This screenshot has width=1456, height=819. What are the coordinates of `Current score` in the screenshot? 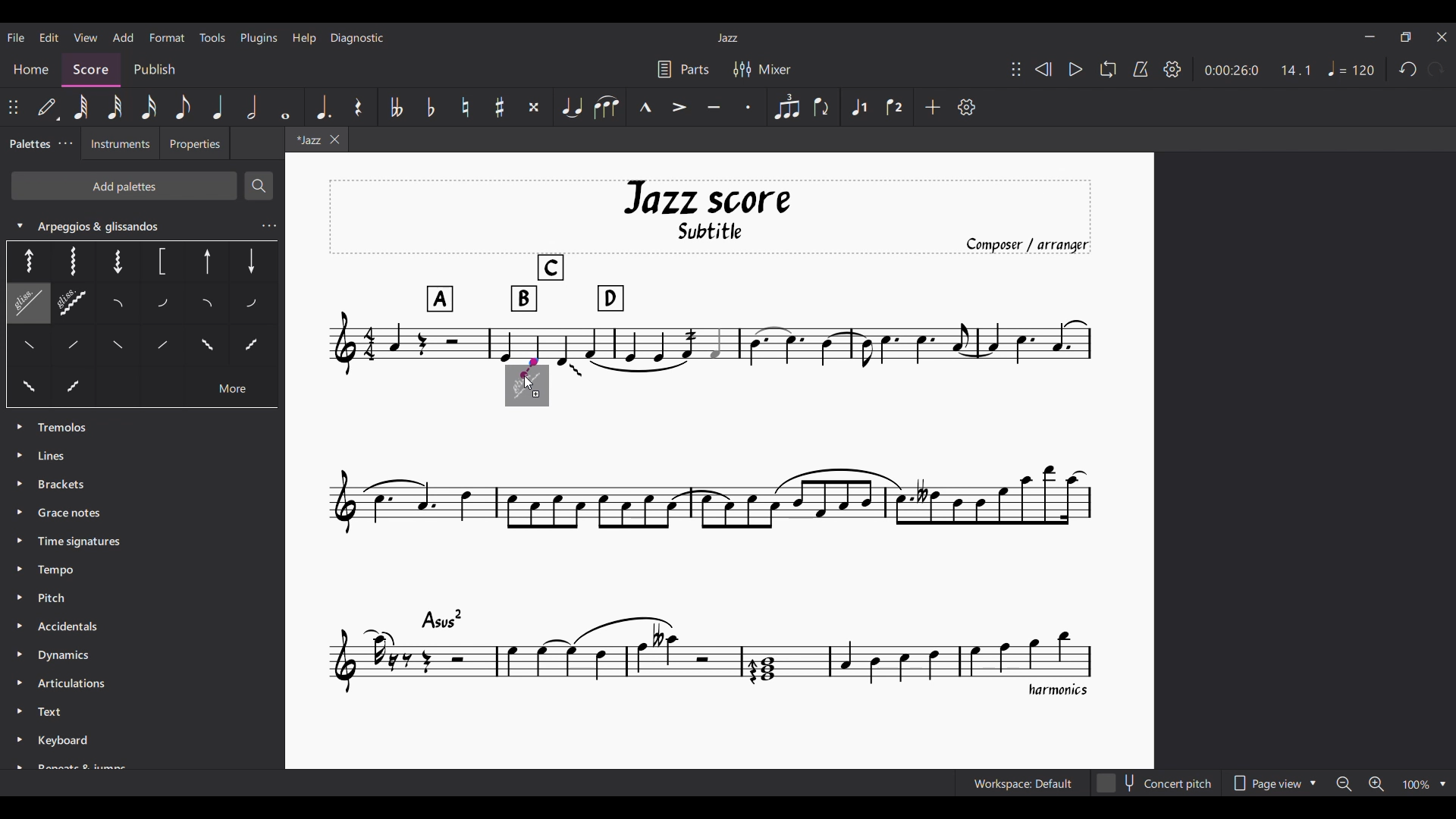 It's located at (725, 438).